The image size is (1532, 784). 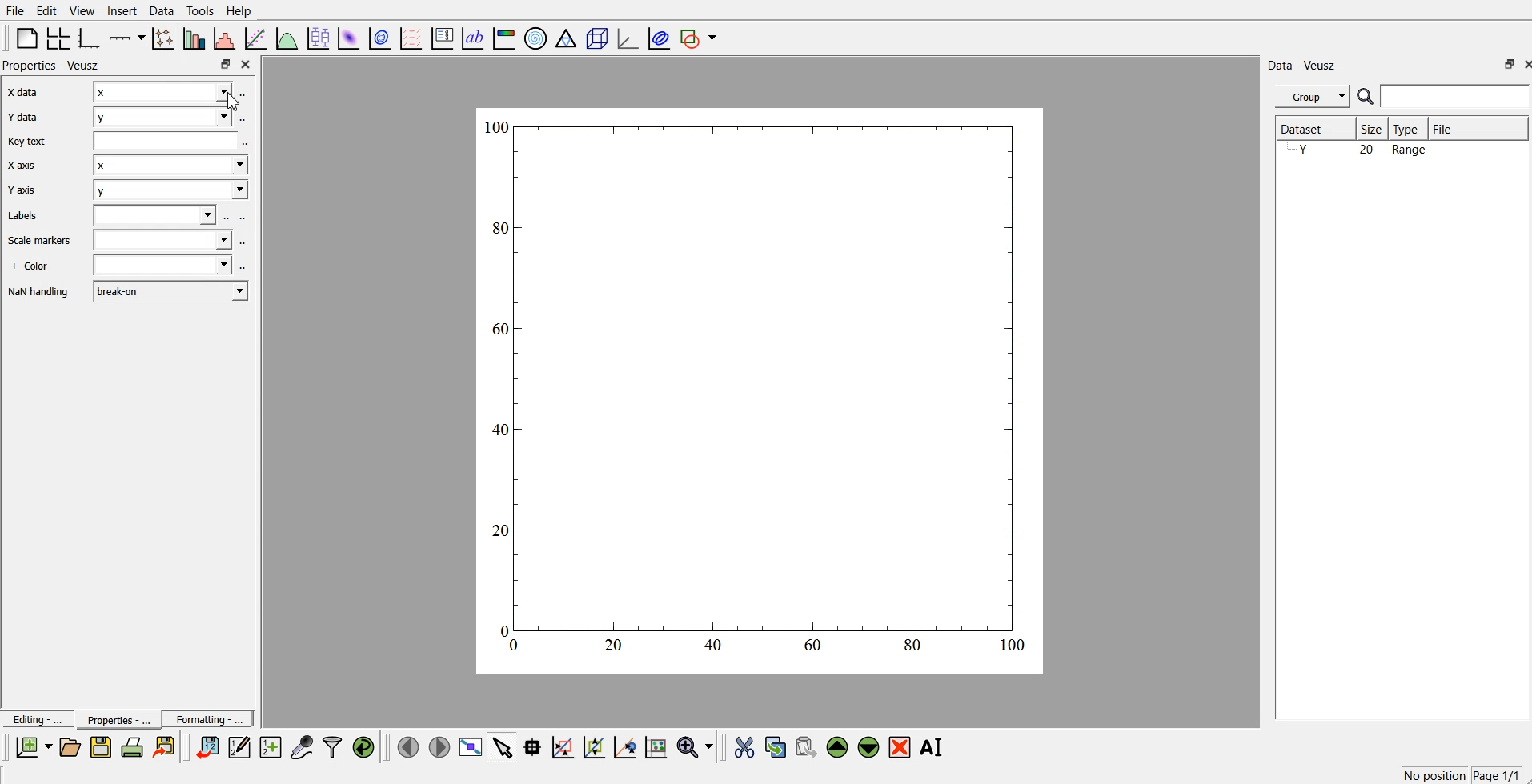 What do you see at coordinates (626, 745) in the screenshot?
I see `click to recentre graph axes` at bounding box center [626, 745].